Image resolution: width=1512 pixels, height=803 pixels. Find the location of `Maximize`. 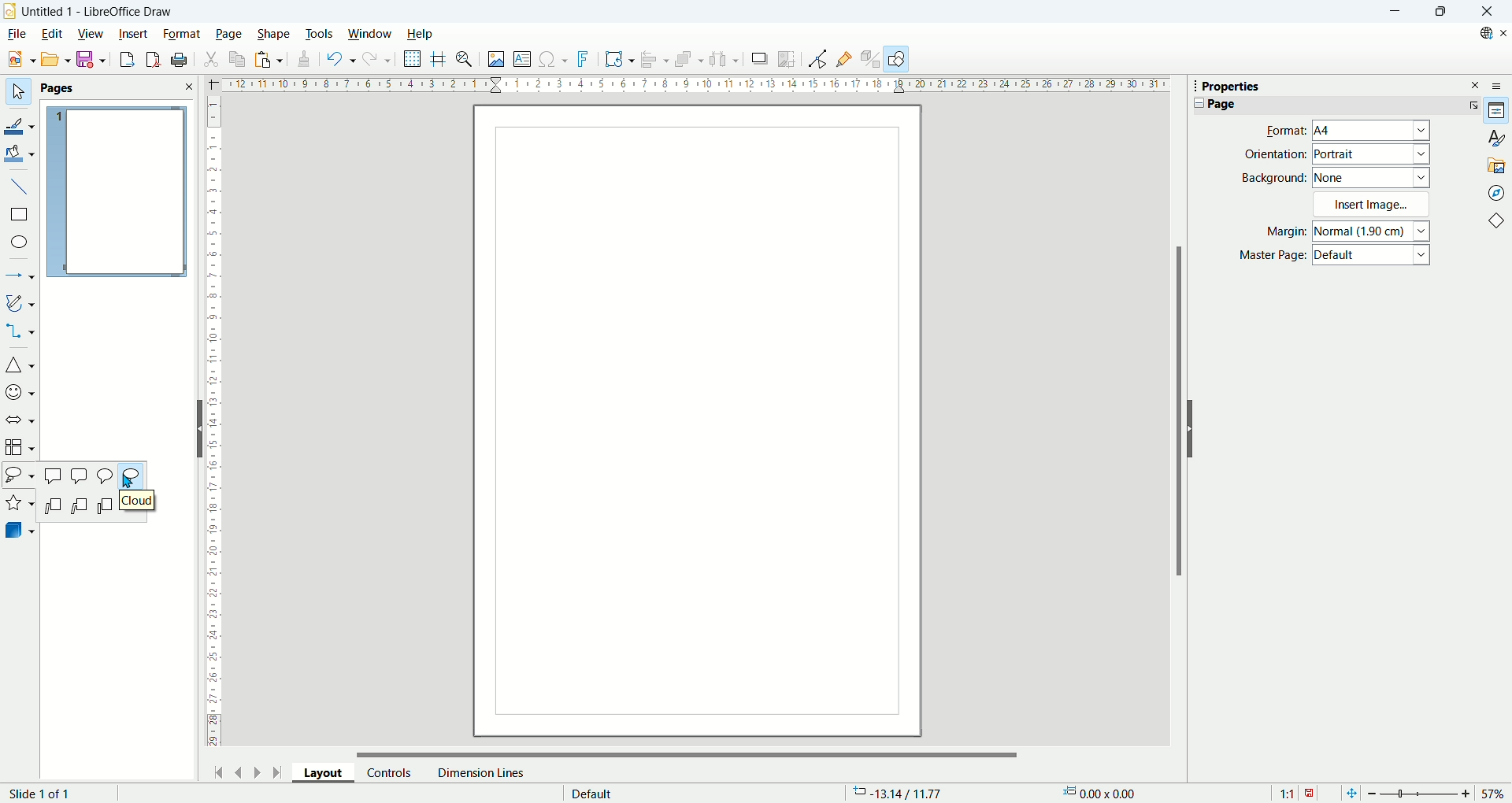

Maximize is located at coordinates (1440, 12).